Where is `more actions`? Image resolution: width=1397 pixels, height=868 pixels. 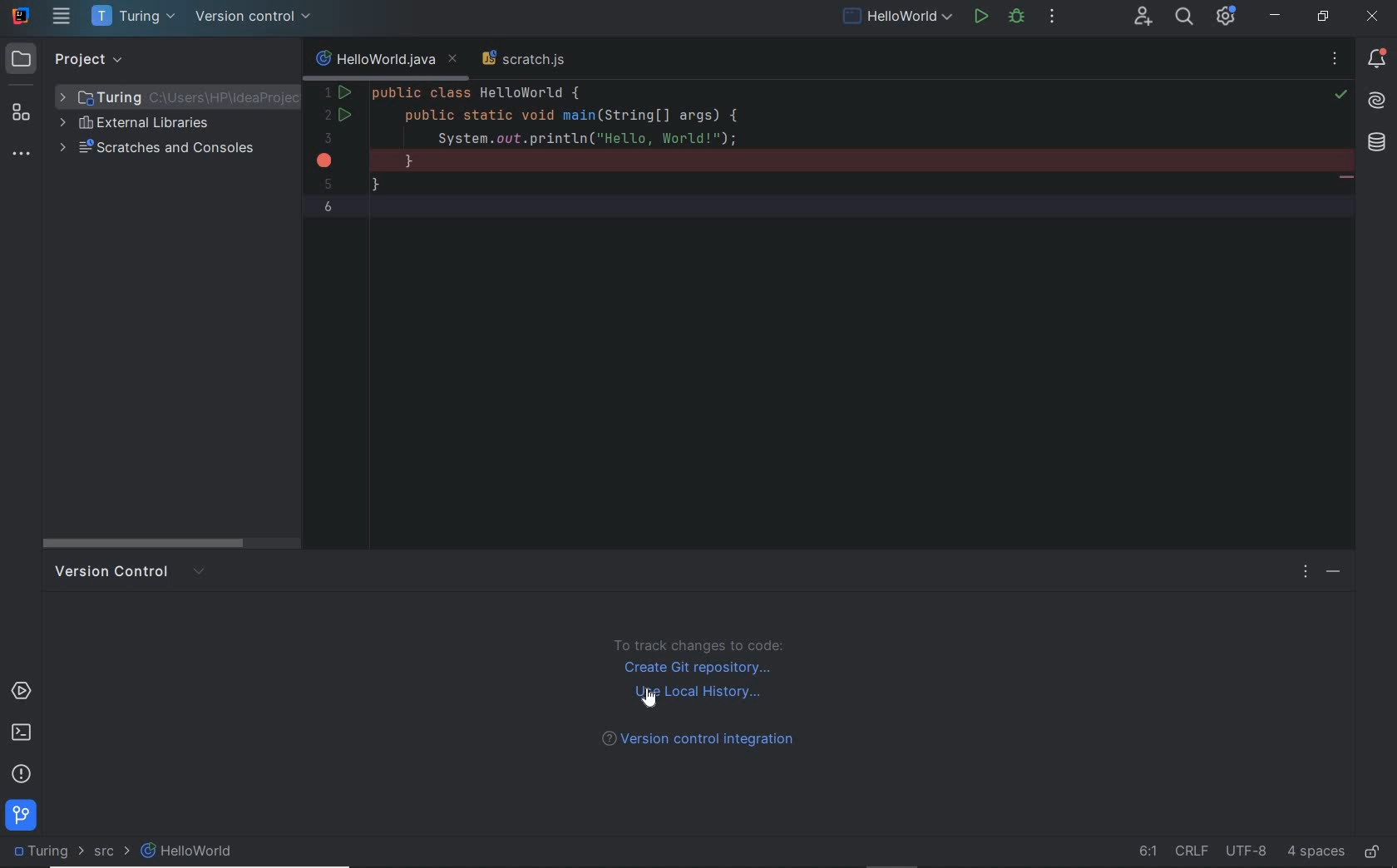 more actions is located at coordinates (1051, 19).